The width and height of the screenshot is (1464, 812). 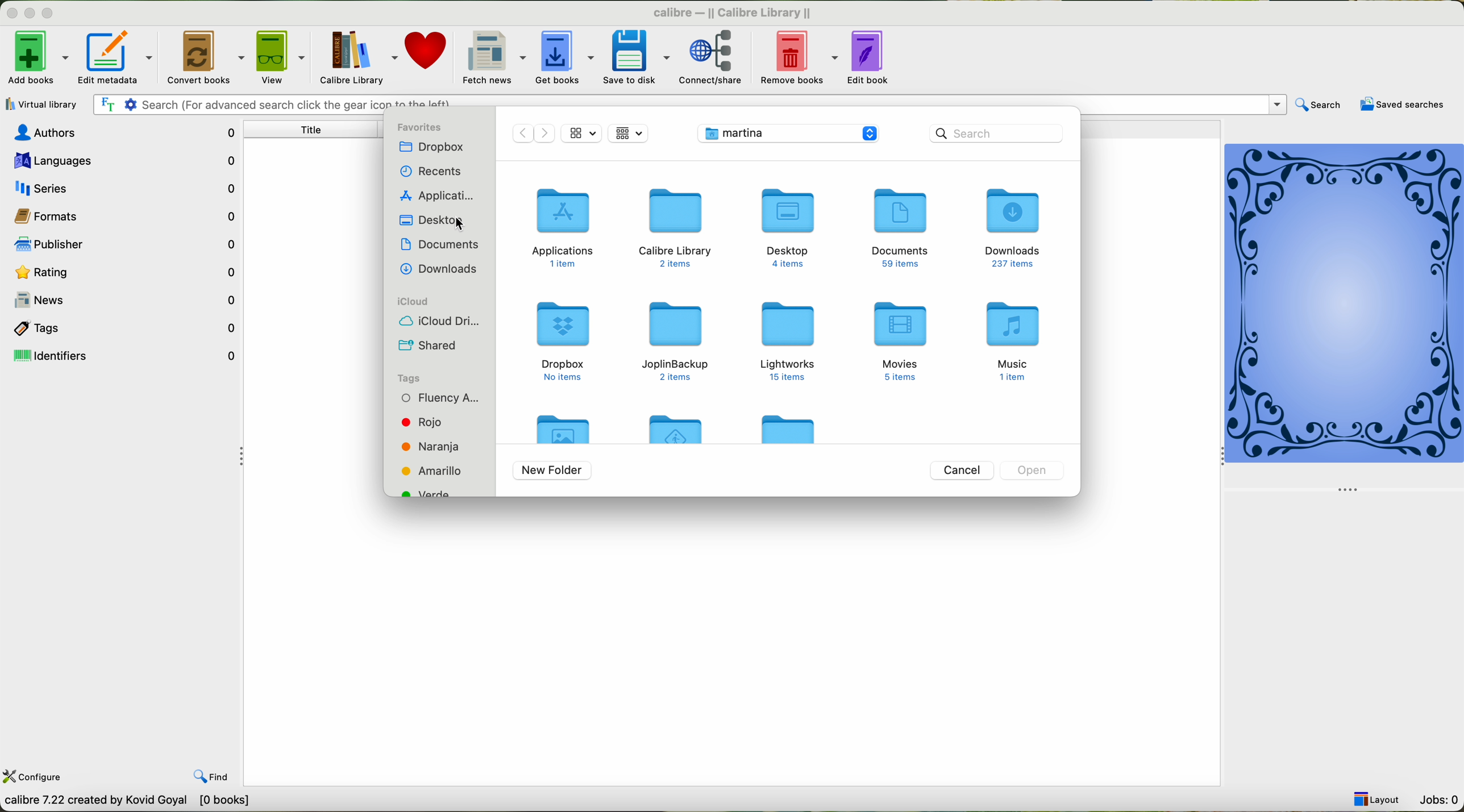 I want to click on cursor, so click(x=463, y=225).